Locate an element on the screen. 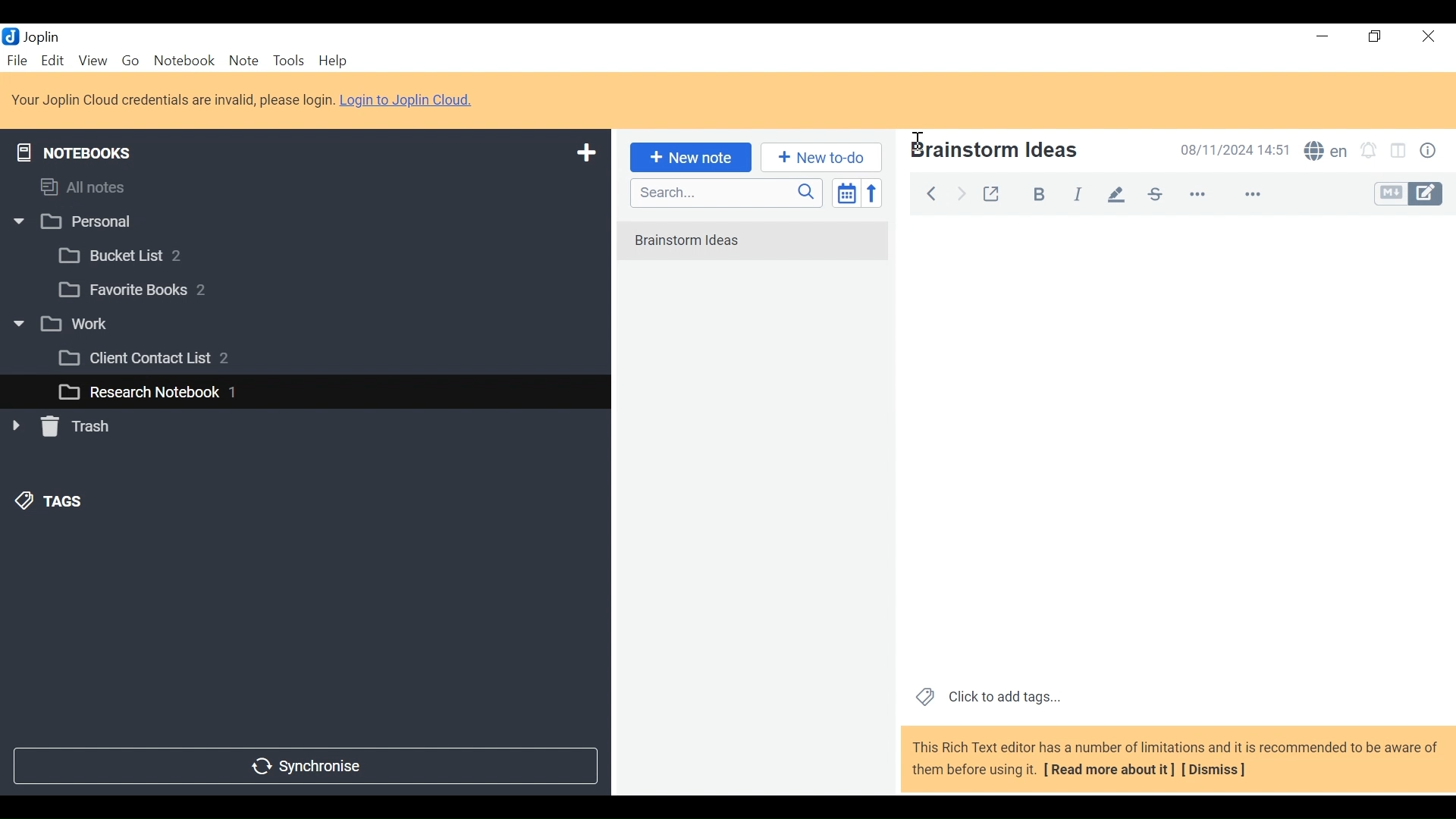 The height and width of the screenshot is (819, 1456). Forward is located at coordinates (962, 192).